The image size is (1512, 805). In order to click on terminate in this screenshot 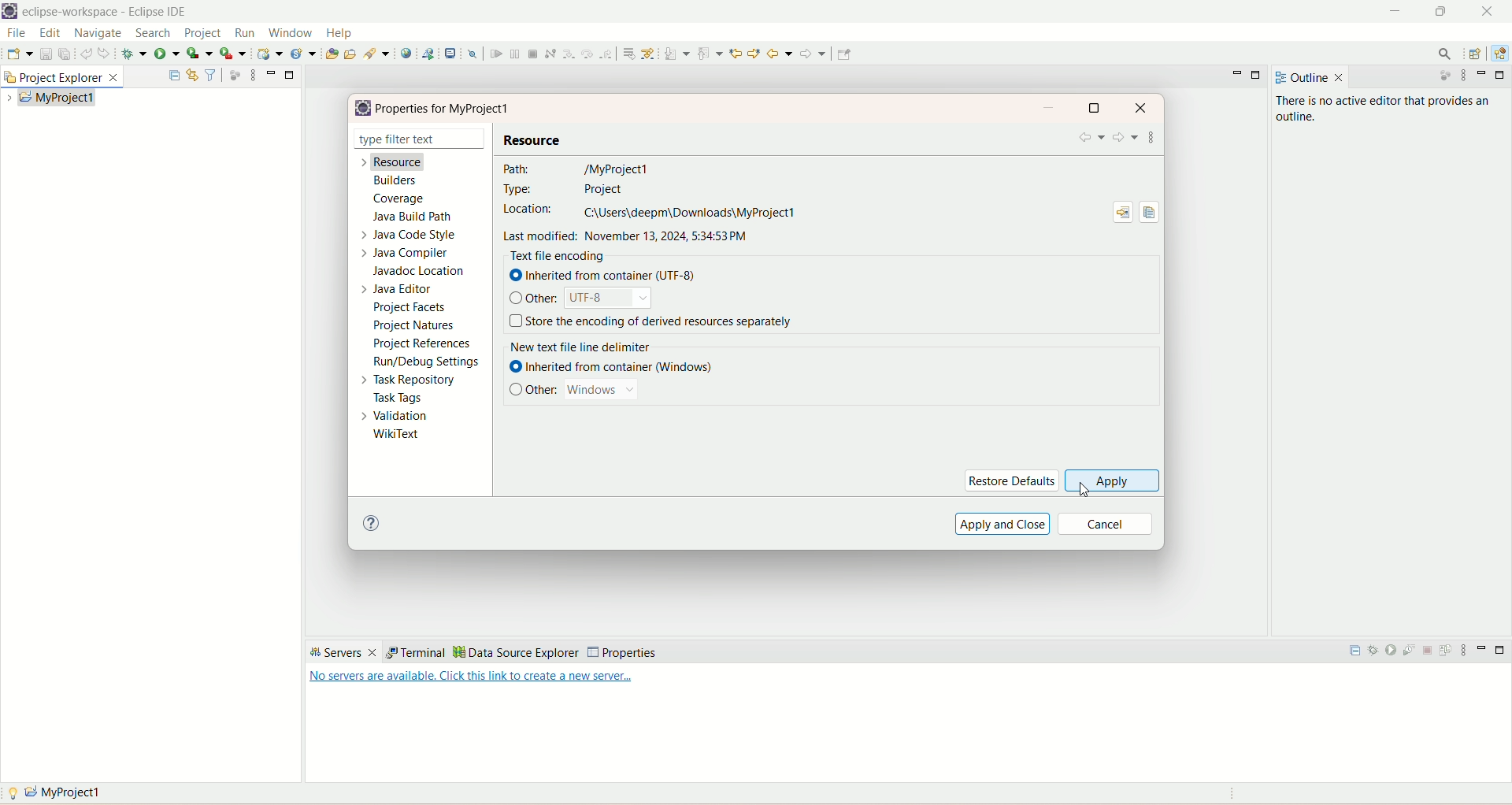, I will do `click(534, 54)`.